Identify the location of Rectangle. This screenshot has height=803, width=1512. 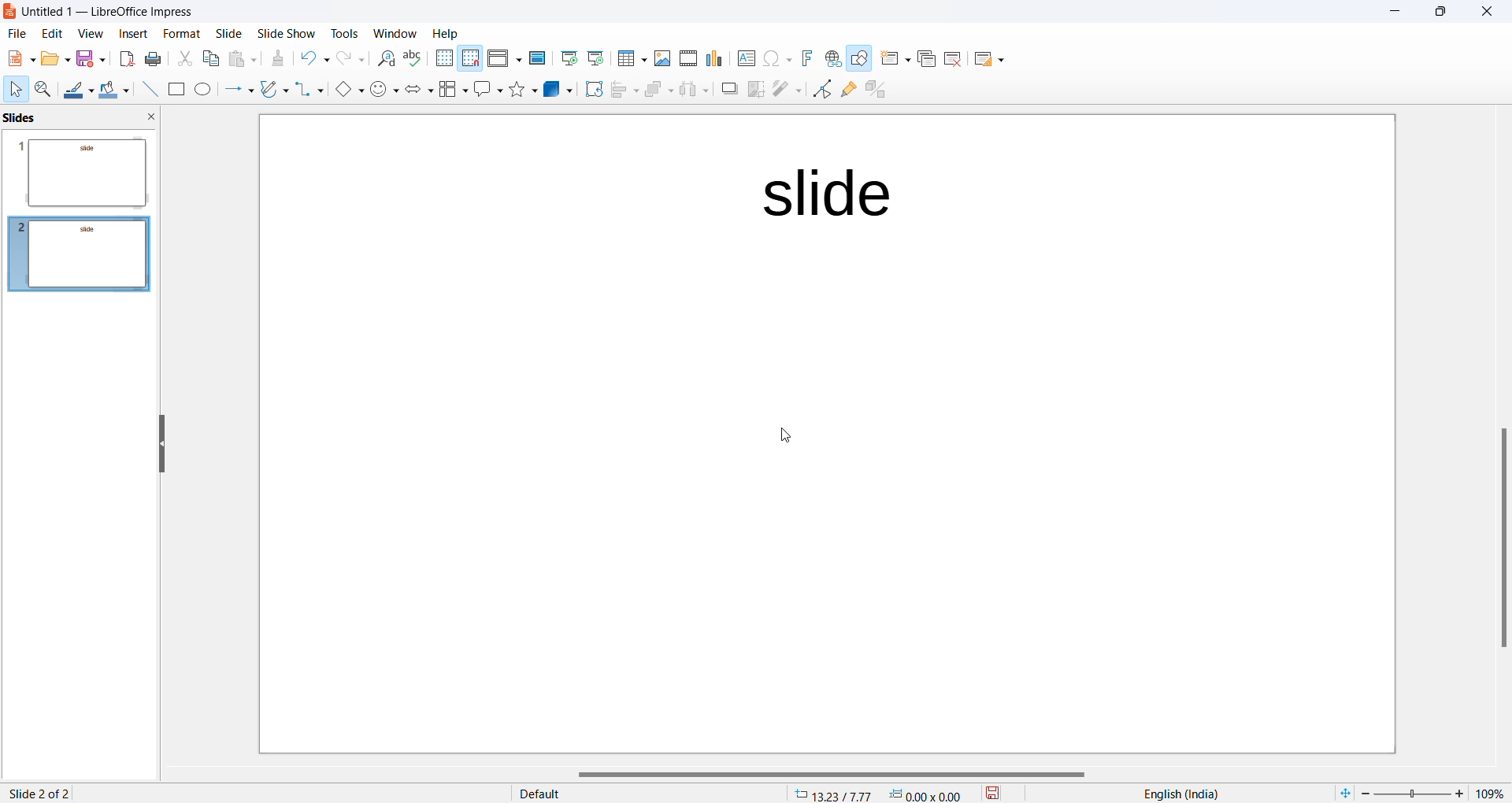
(174, 89).